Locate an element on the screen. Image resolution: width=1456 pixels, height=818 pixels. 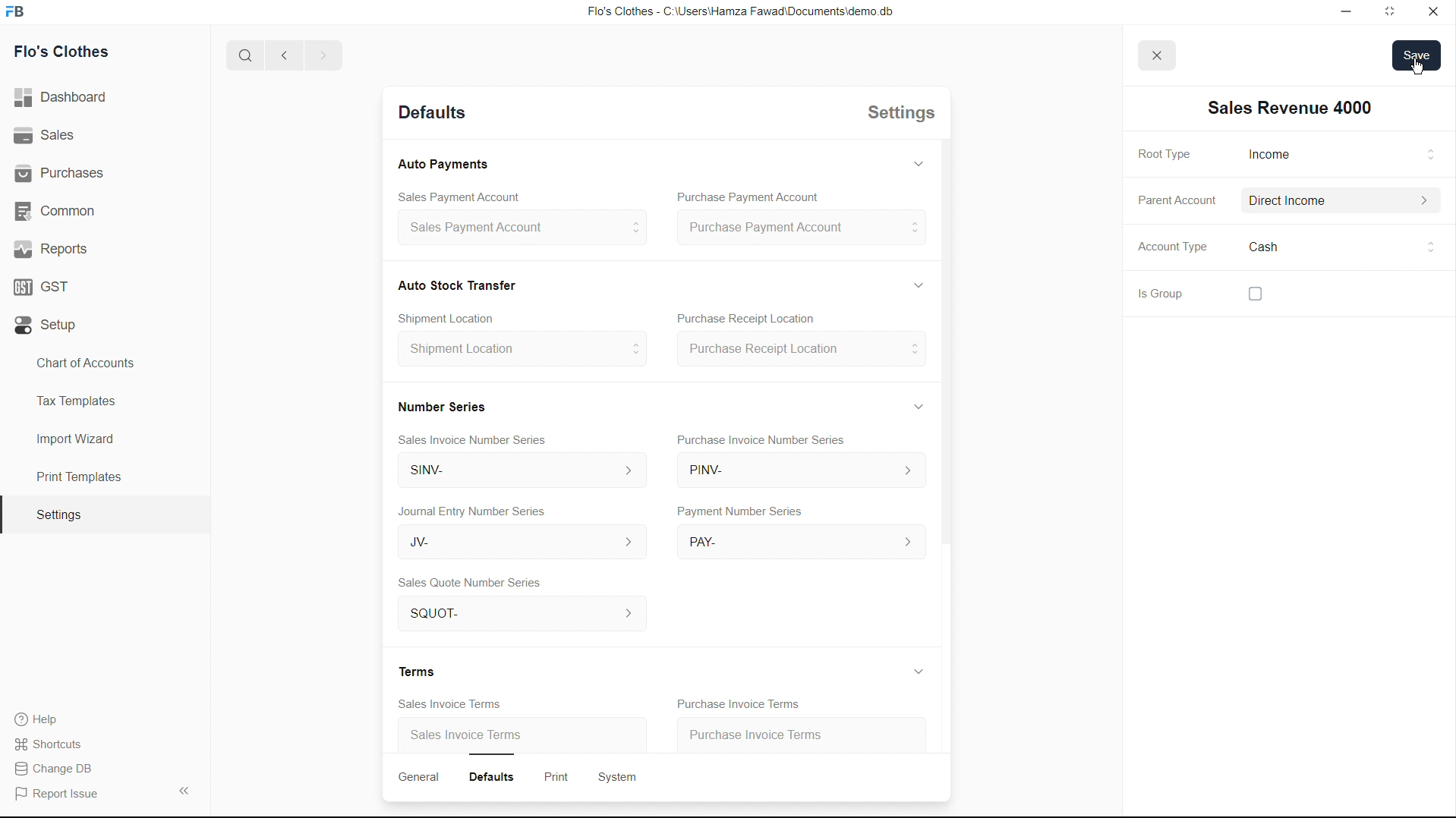
Cash is located at coordinates (1304, 240).